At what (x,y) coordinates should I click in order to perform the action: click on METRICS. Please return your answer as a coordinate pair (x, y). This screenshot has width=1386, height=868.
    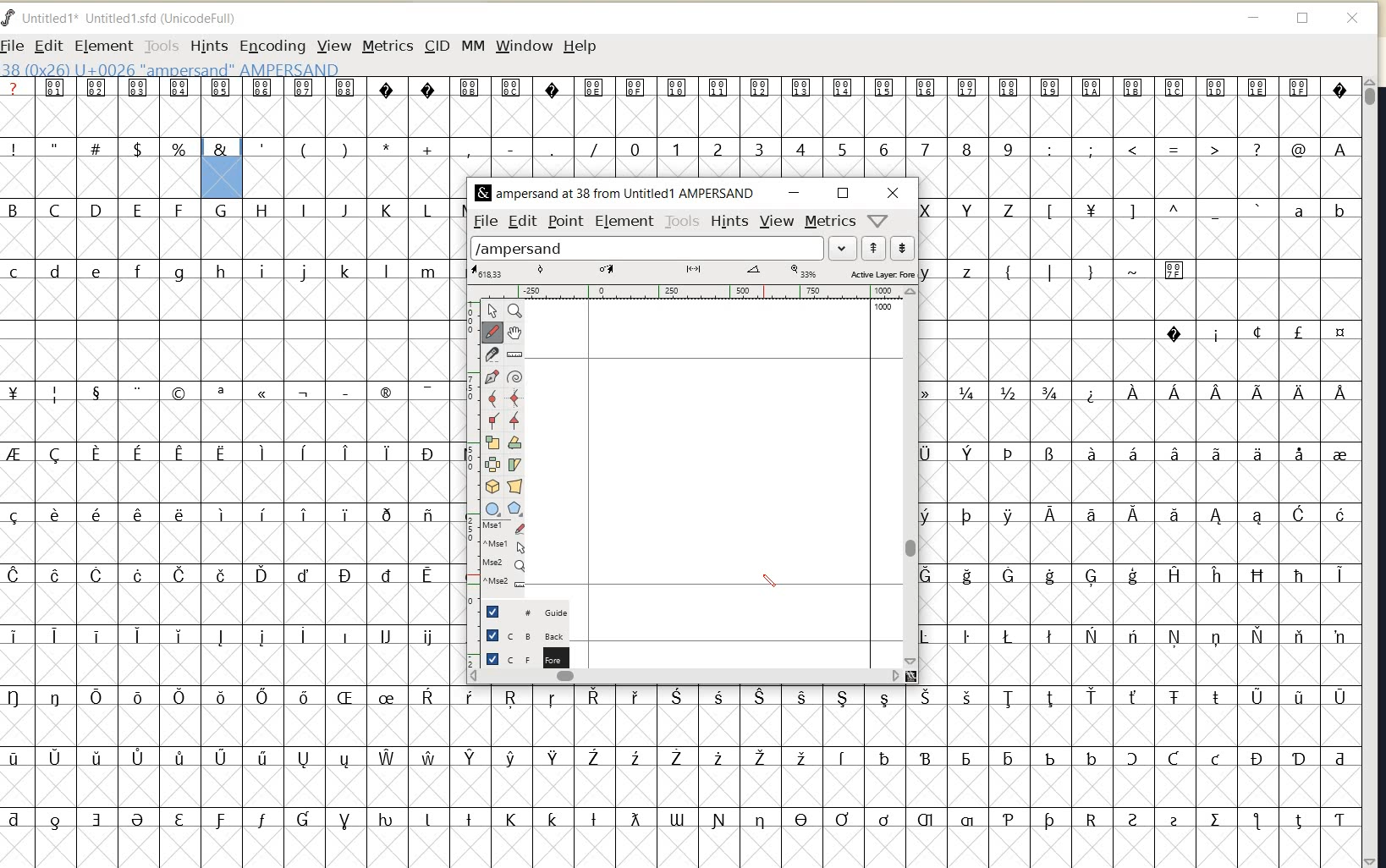
    Looking at the image, I should click on (386, 47).